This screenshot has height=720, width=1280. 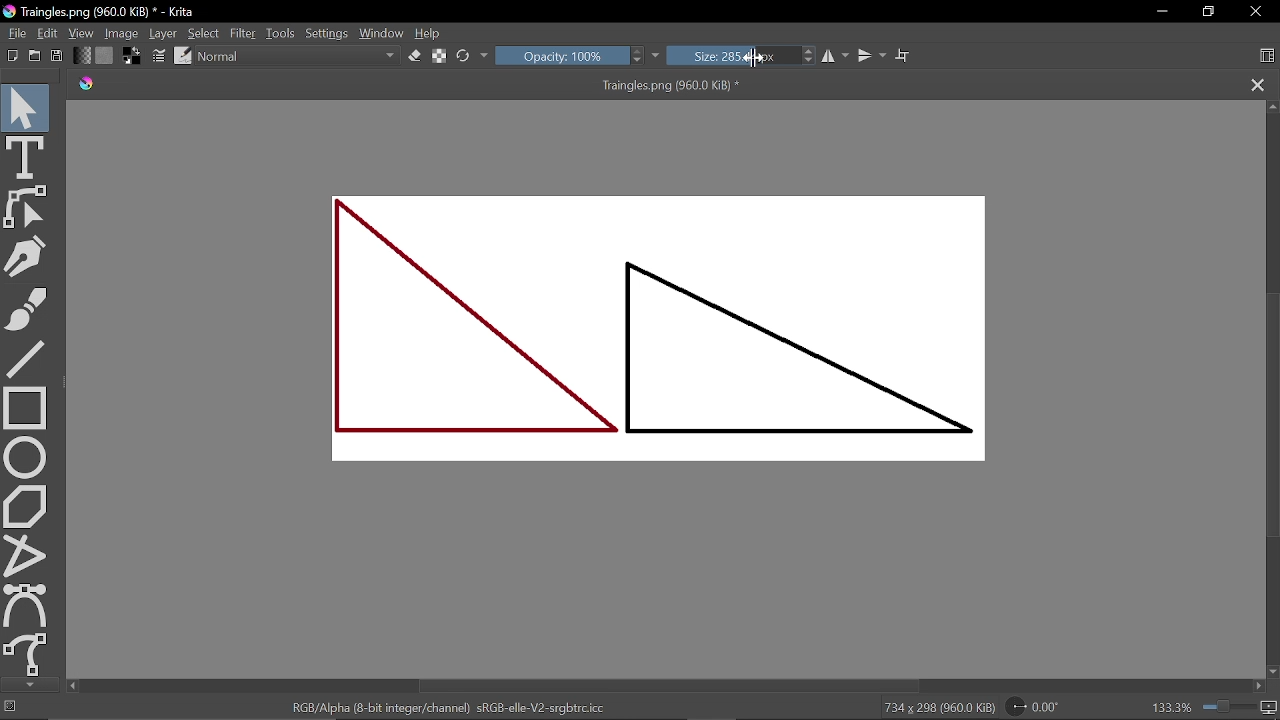 What do you see at coordinates (473, 55) in the screenshot?
I see `Refresh` at bounding box center [473, 55].